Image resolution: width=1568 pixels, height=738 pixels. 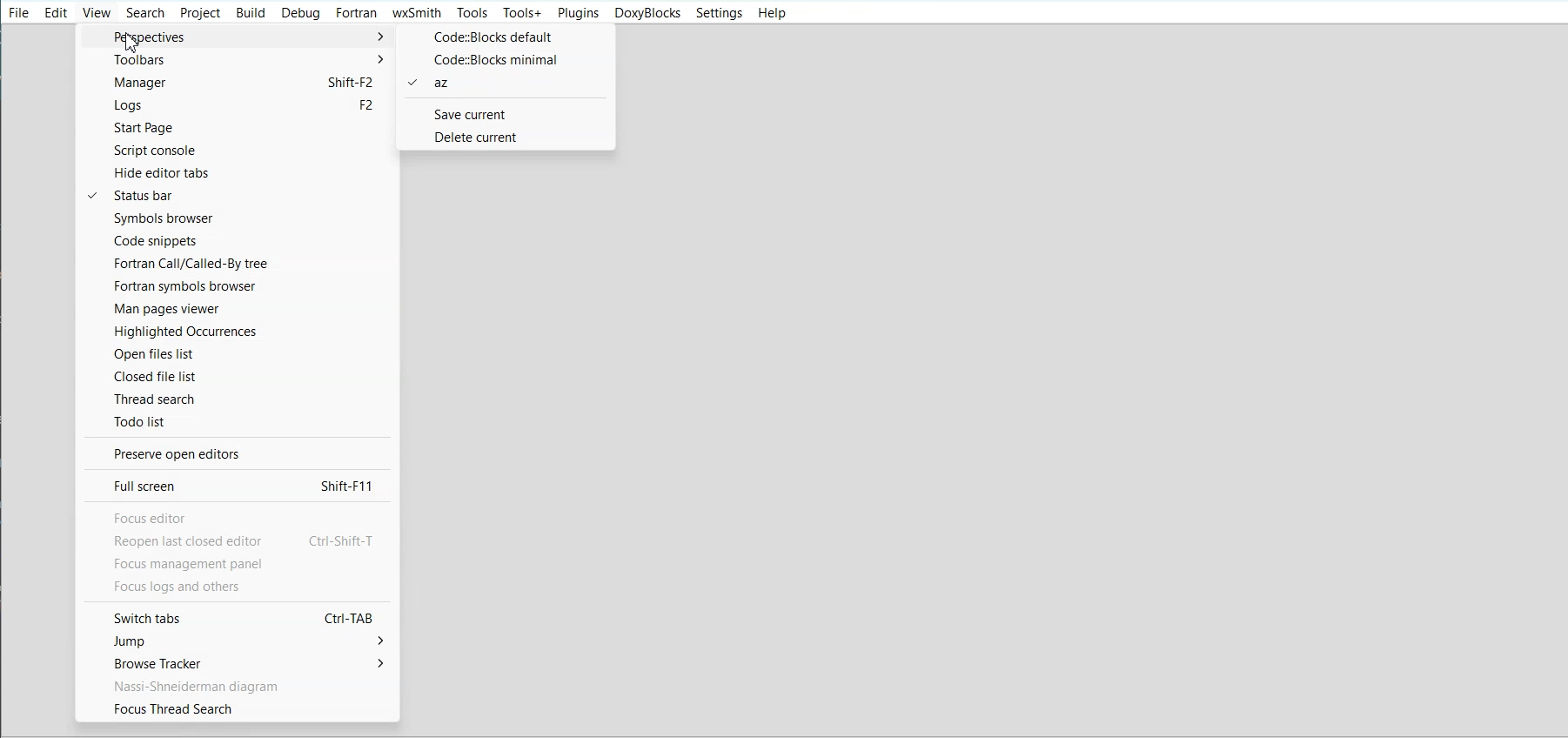 What do you see at coordinates (235, 454) in the screenshot?
I see `Preserve open editor` at bounding box center [235, 454].